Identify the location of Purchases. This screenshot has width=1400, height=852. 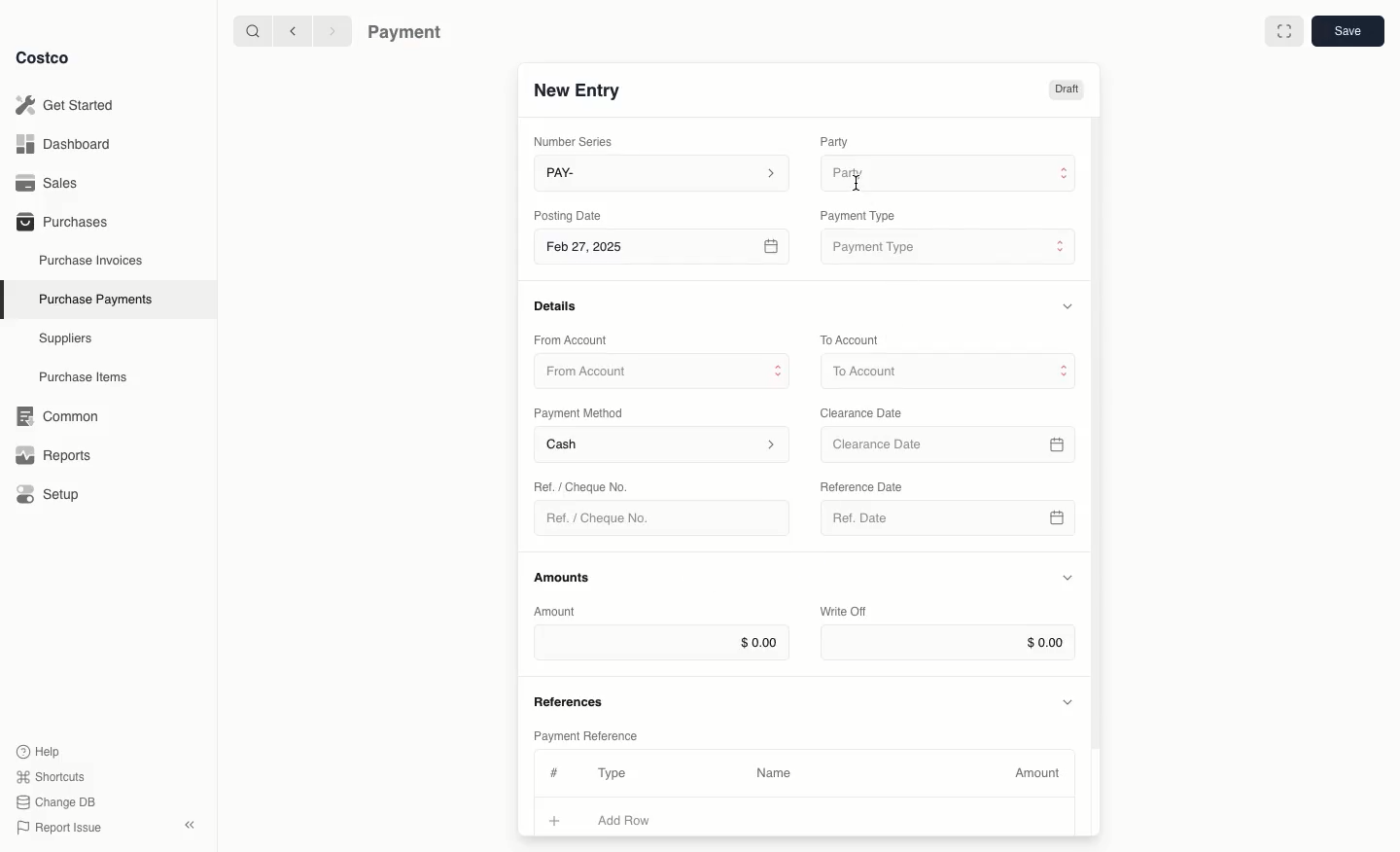
(61, 221).